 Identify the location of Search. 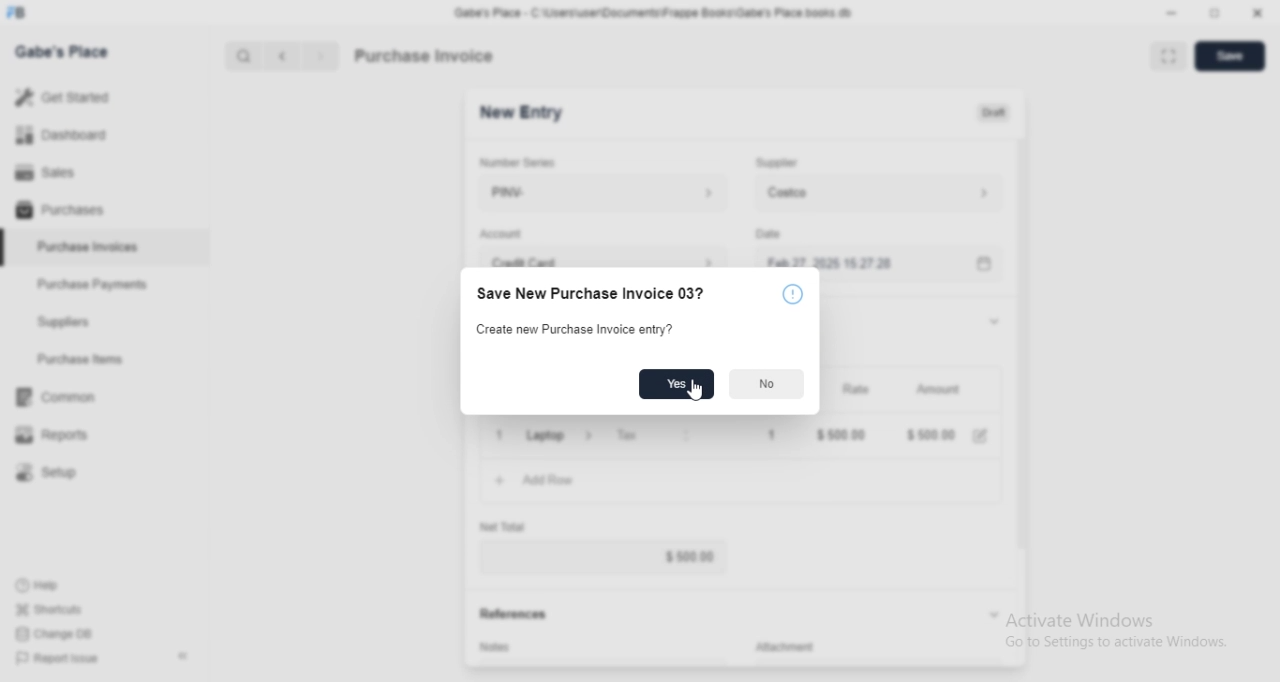
(243, 56).